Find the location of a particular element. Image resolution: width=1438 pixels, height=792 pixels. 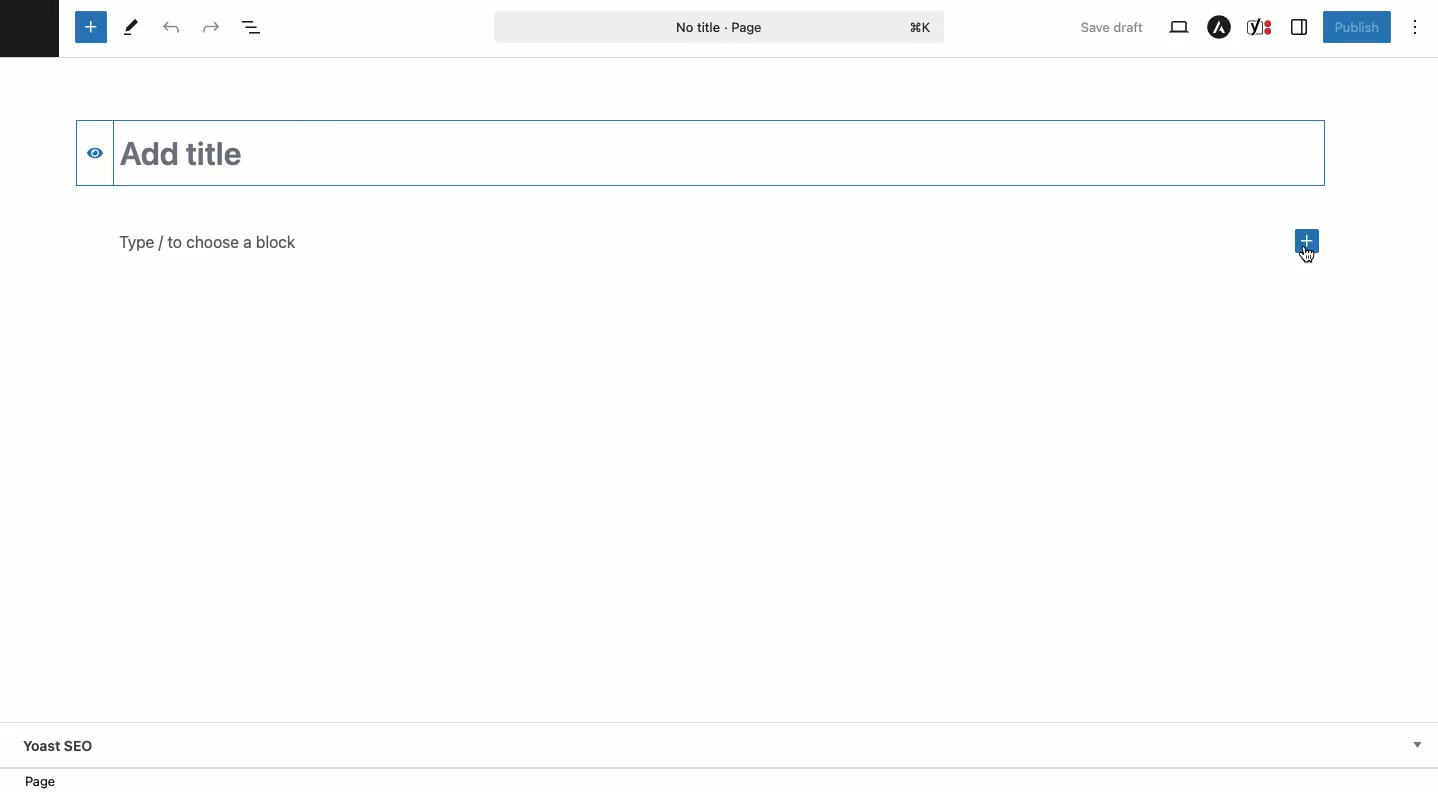

Undo is located at coordinates (171, 27).